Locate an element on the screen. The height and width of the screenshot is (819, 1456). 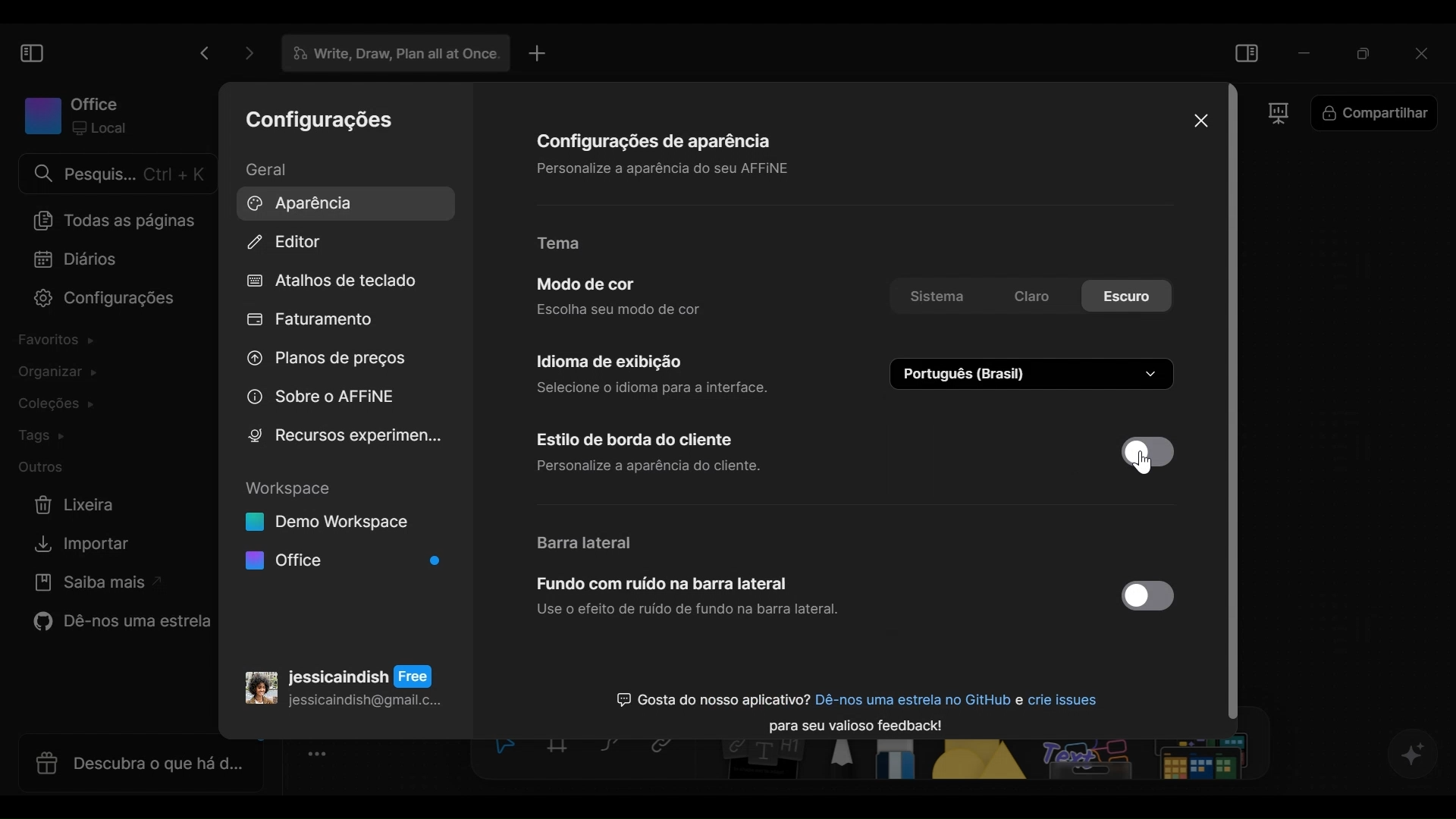
Tab is located at coordinates (389, 54).